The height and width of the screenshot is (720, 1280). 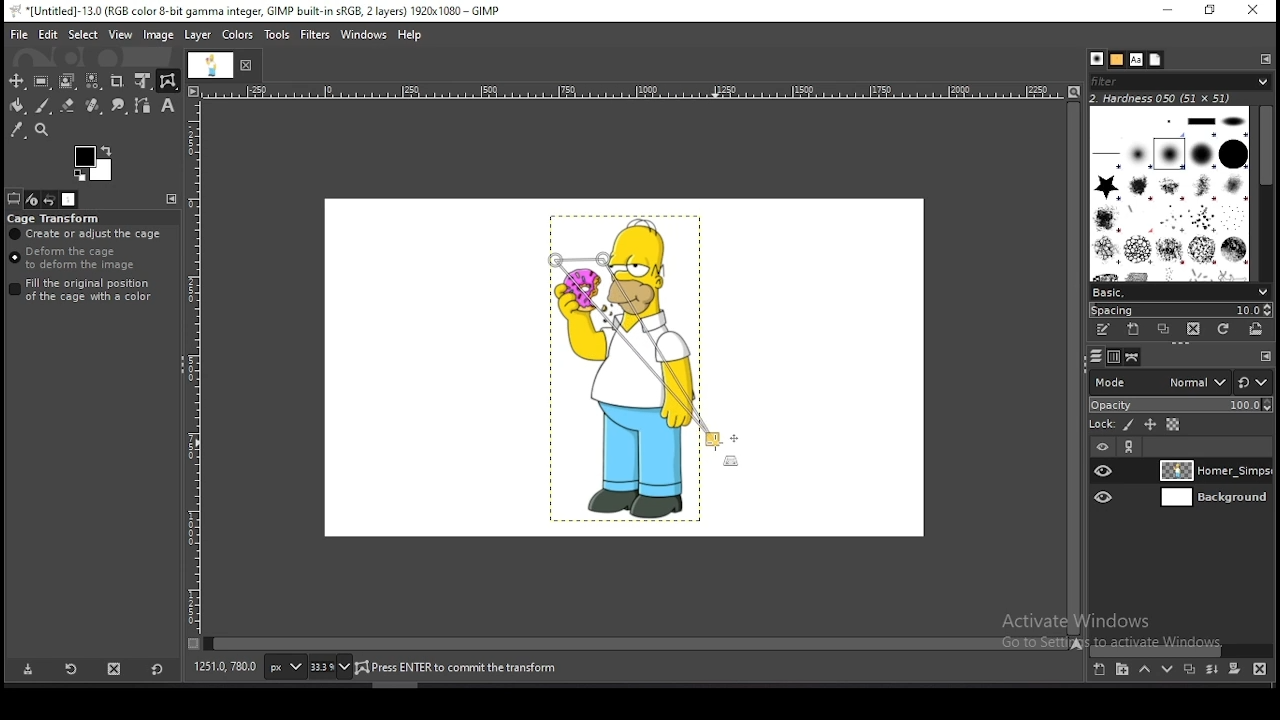 What do you see at coordinates (1182, 649) in the screenshot?
I see `scroll bar` at bounding box center [1182, 649].